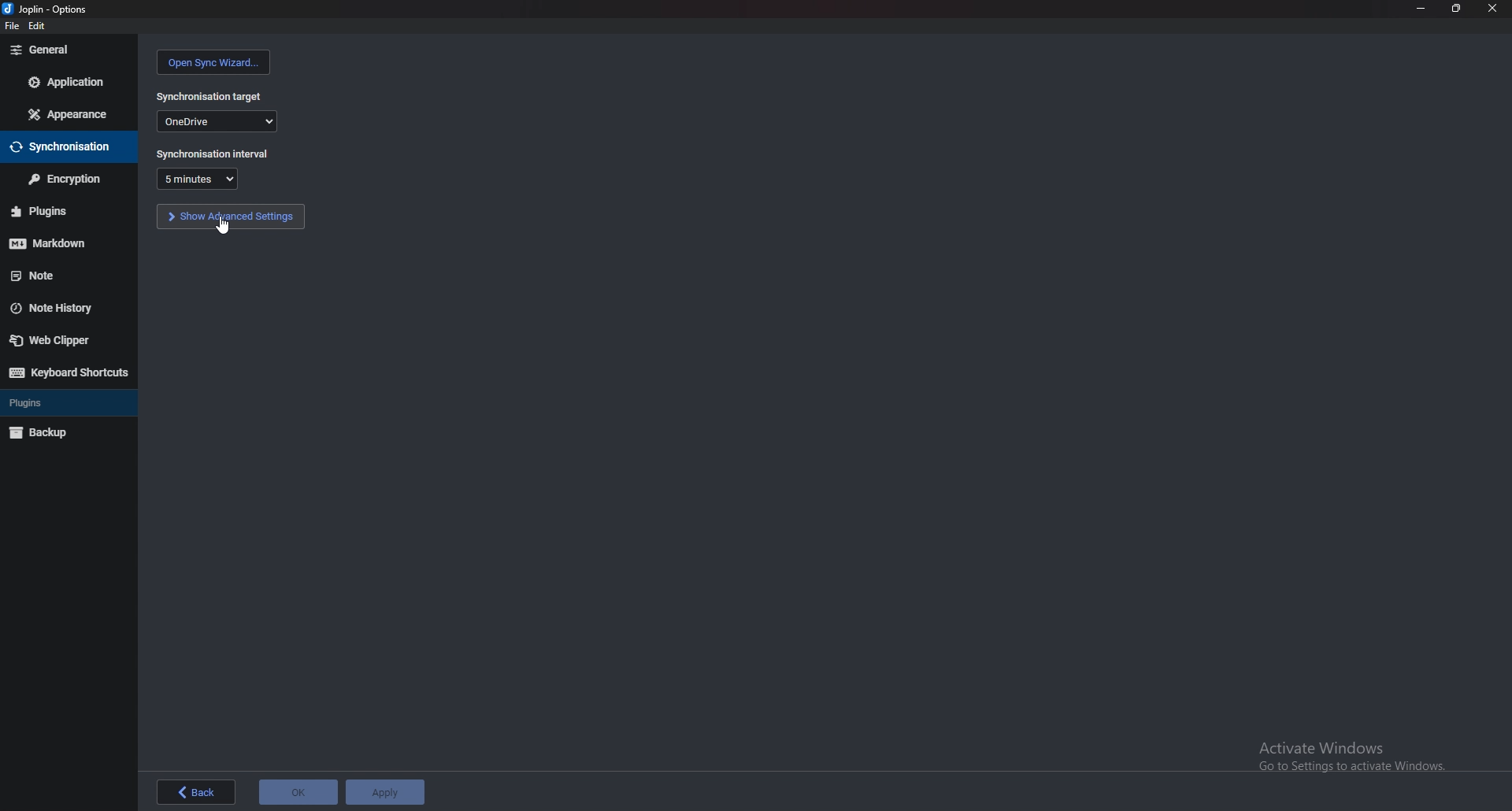 Image resolution: width=1512 pixels, height=811 pixels. What do you see at coordinates (1491, 9) in the screenshot?
I see `close` at bounding box center [1491, 9].